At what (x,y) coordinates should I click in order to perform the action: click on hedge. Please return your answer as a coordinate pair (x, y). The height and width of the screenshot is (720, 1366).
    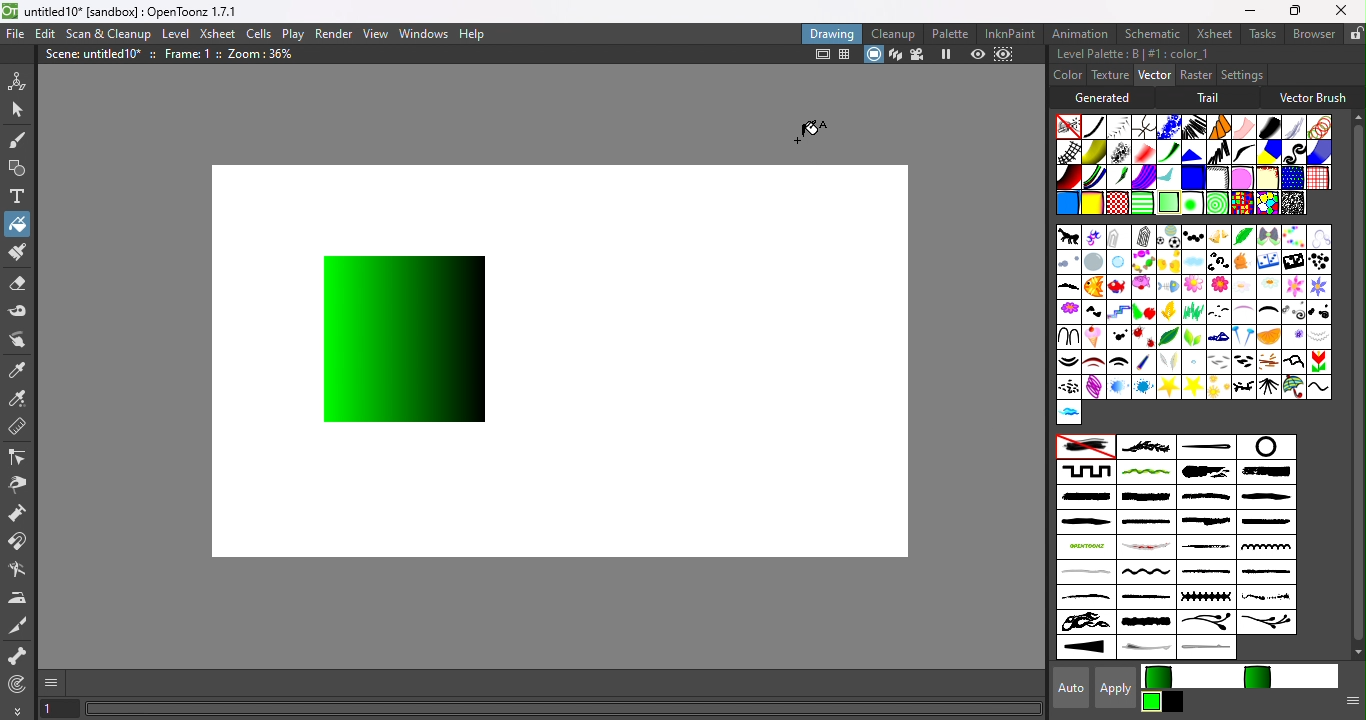
    Looking at the image, I should click on (1267, 314).